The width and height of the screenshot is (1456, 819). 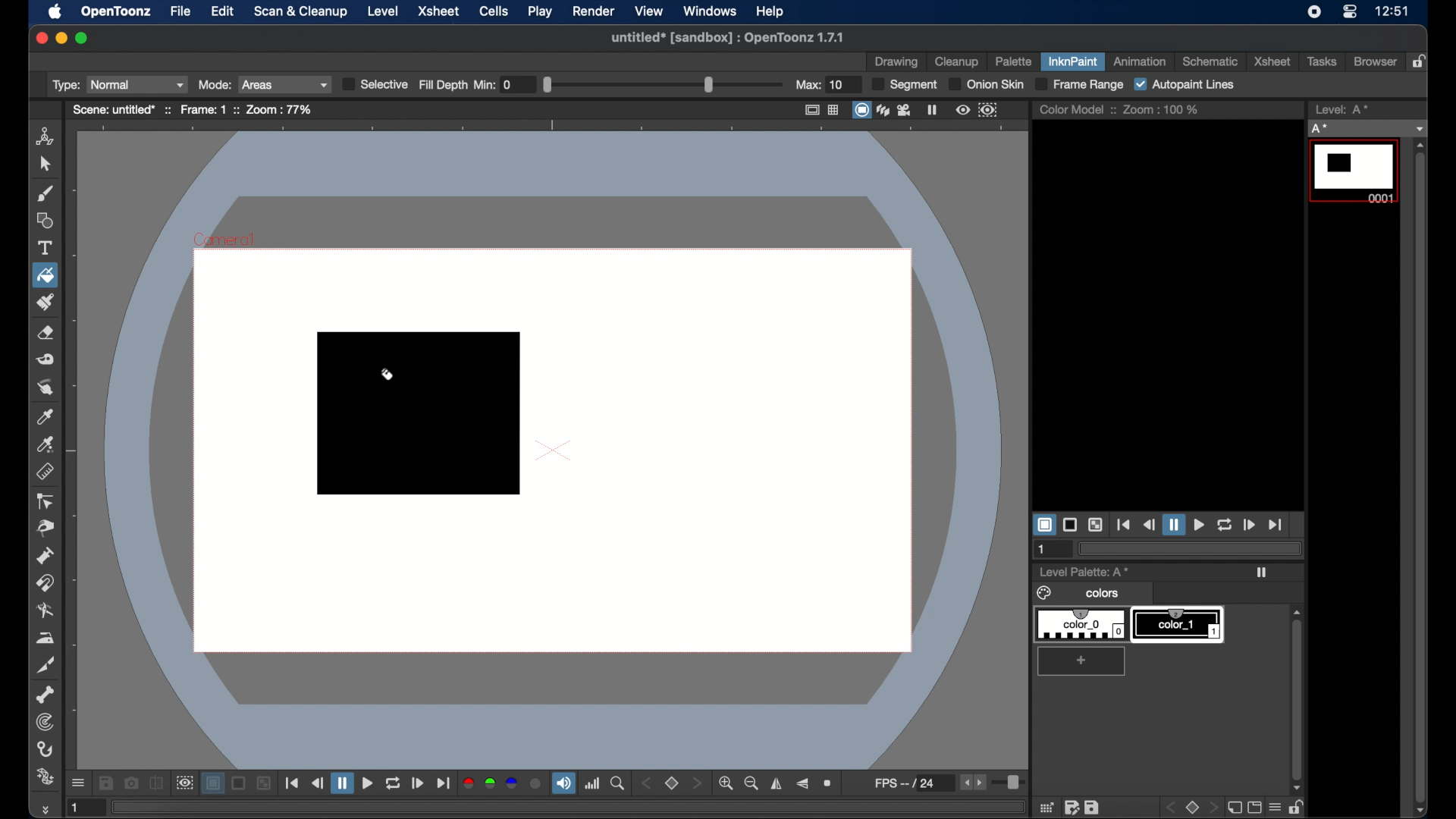 What do you see at coordinates (317, 783) in the screenshot?
I see `rewind` at bounding box center [317, 783].